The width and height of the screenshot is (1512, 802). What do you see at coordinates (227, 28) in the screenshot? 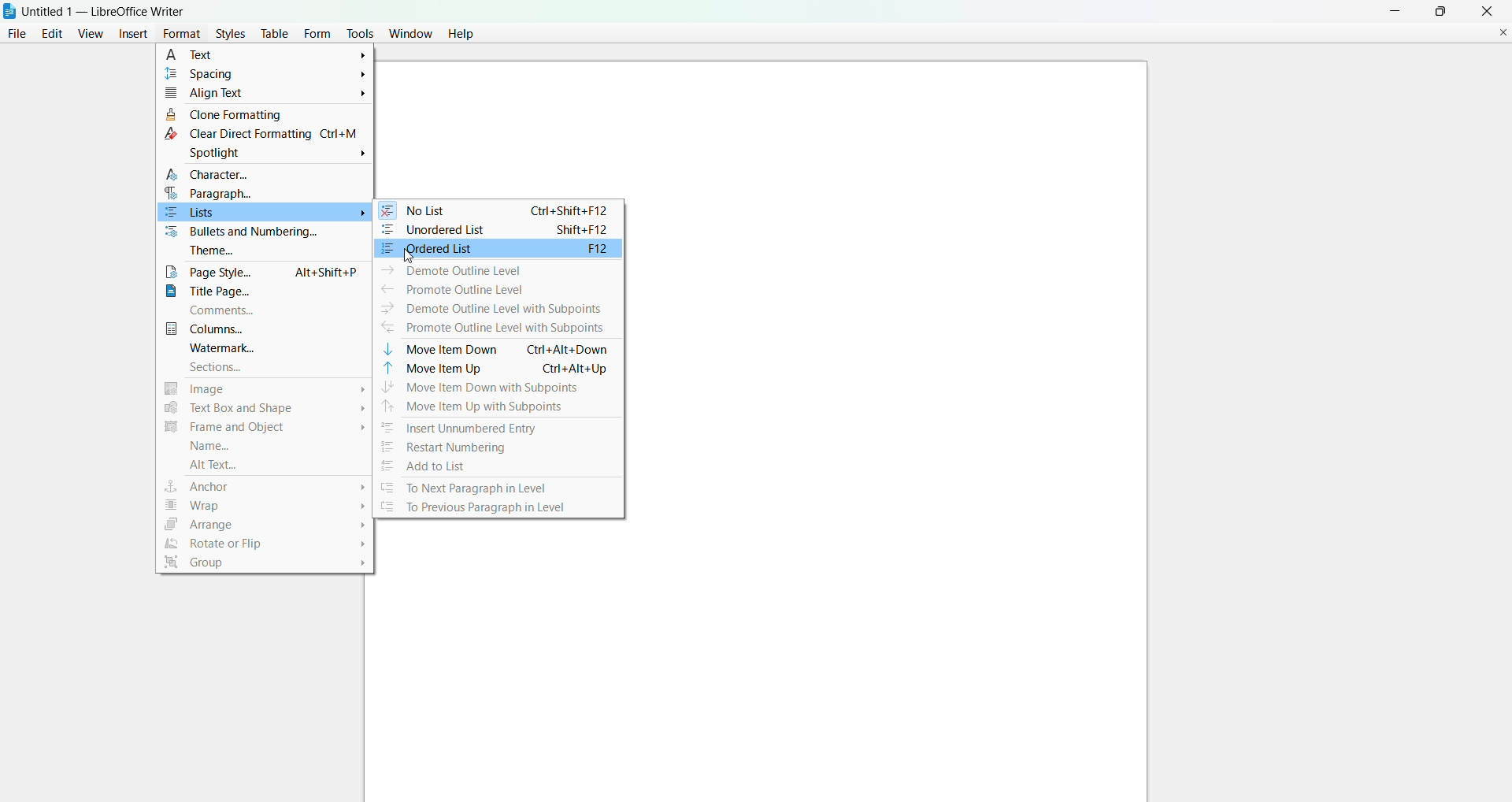
I see `styles` at bounding box center [227, 28].